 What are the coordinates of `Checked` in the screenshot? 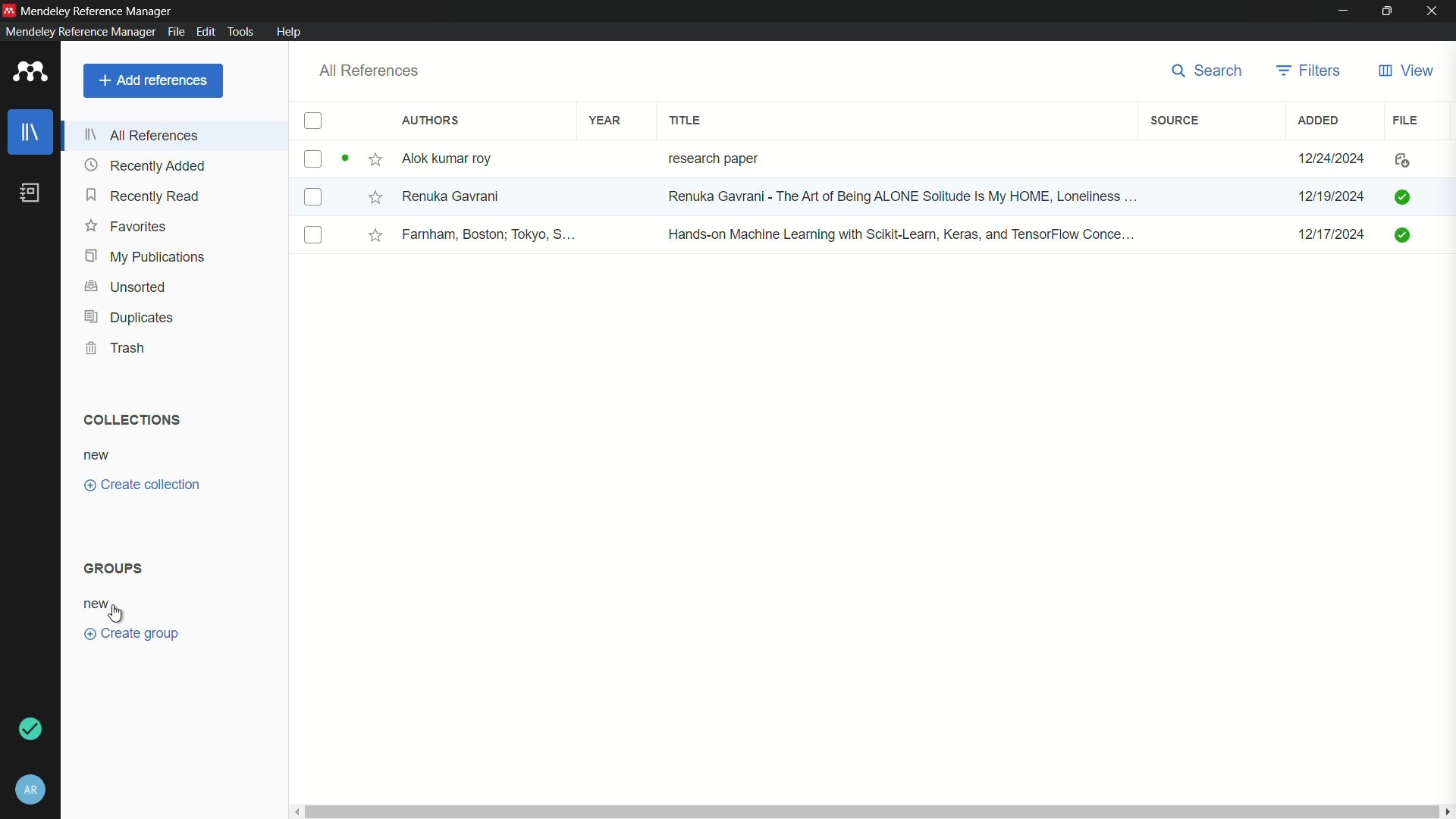 It's located at (1405, 234).